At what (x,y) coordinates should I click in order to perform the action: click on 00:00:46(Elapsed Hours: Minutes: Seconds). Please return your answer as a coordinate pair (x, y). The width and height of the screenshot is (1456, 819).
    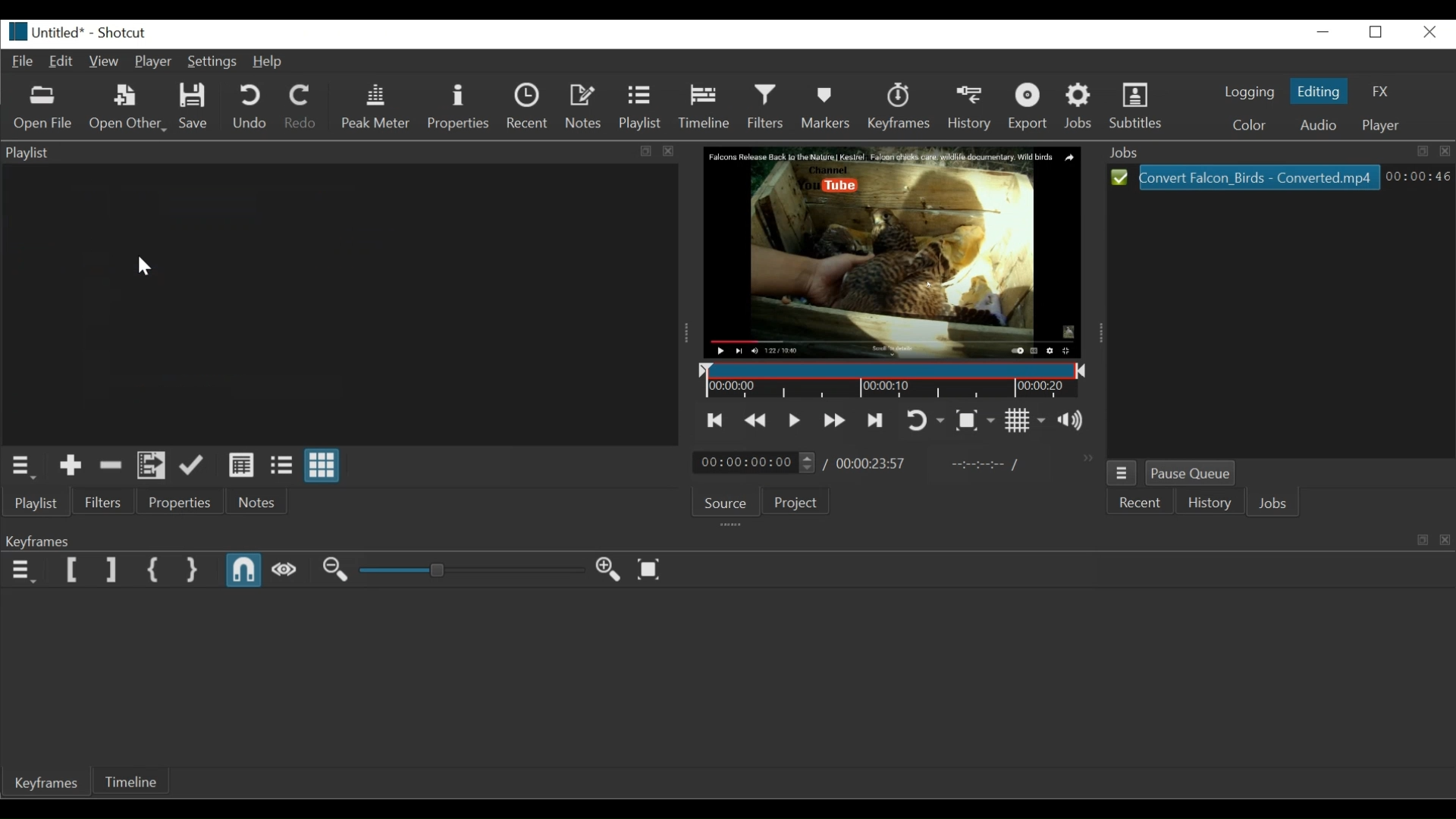
    Looking at the image, I should click on (1418, 176).